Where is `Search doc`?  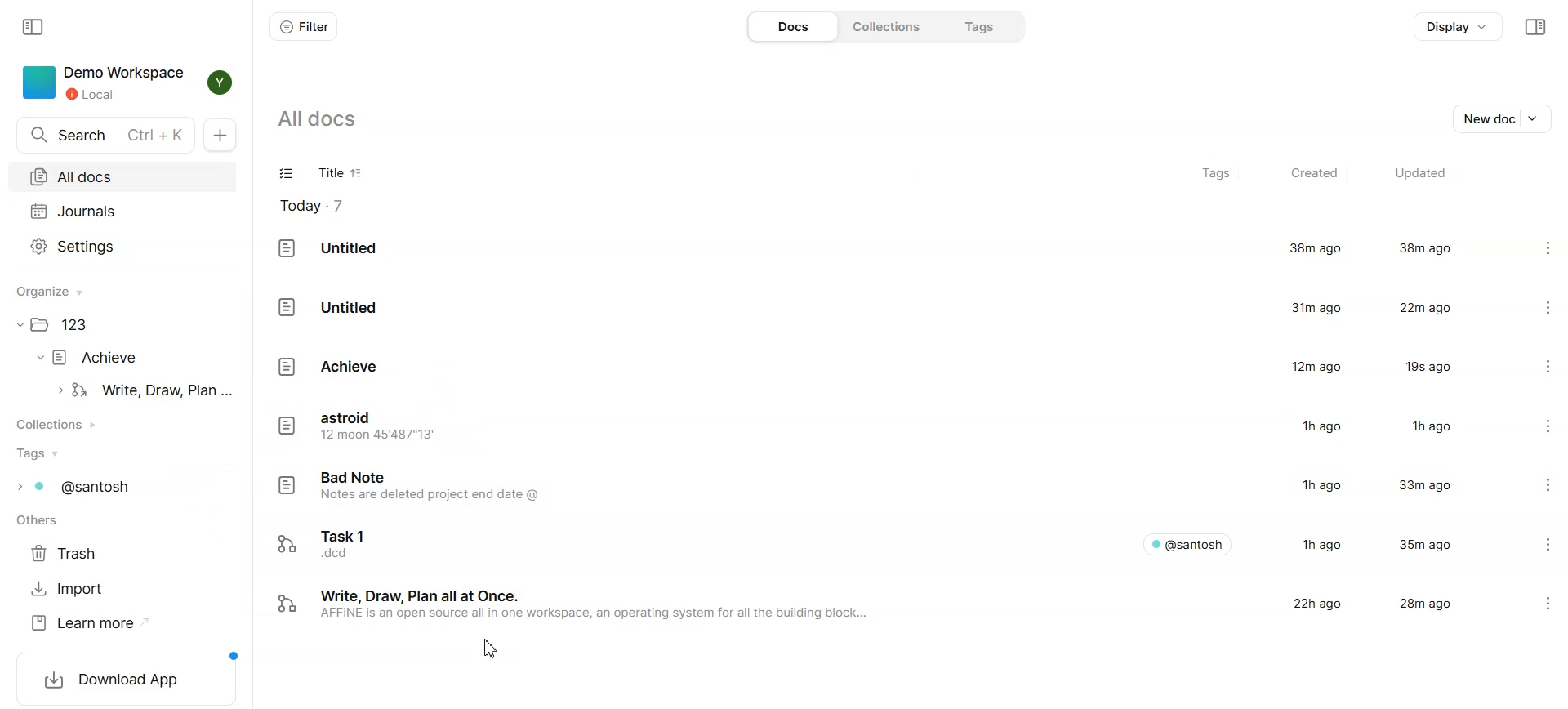
Search doc is located at coordinates (106, 136).